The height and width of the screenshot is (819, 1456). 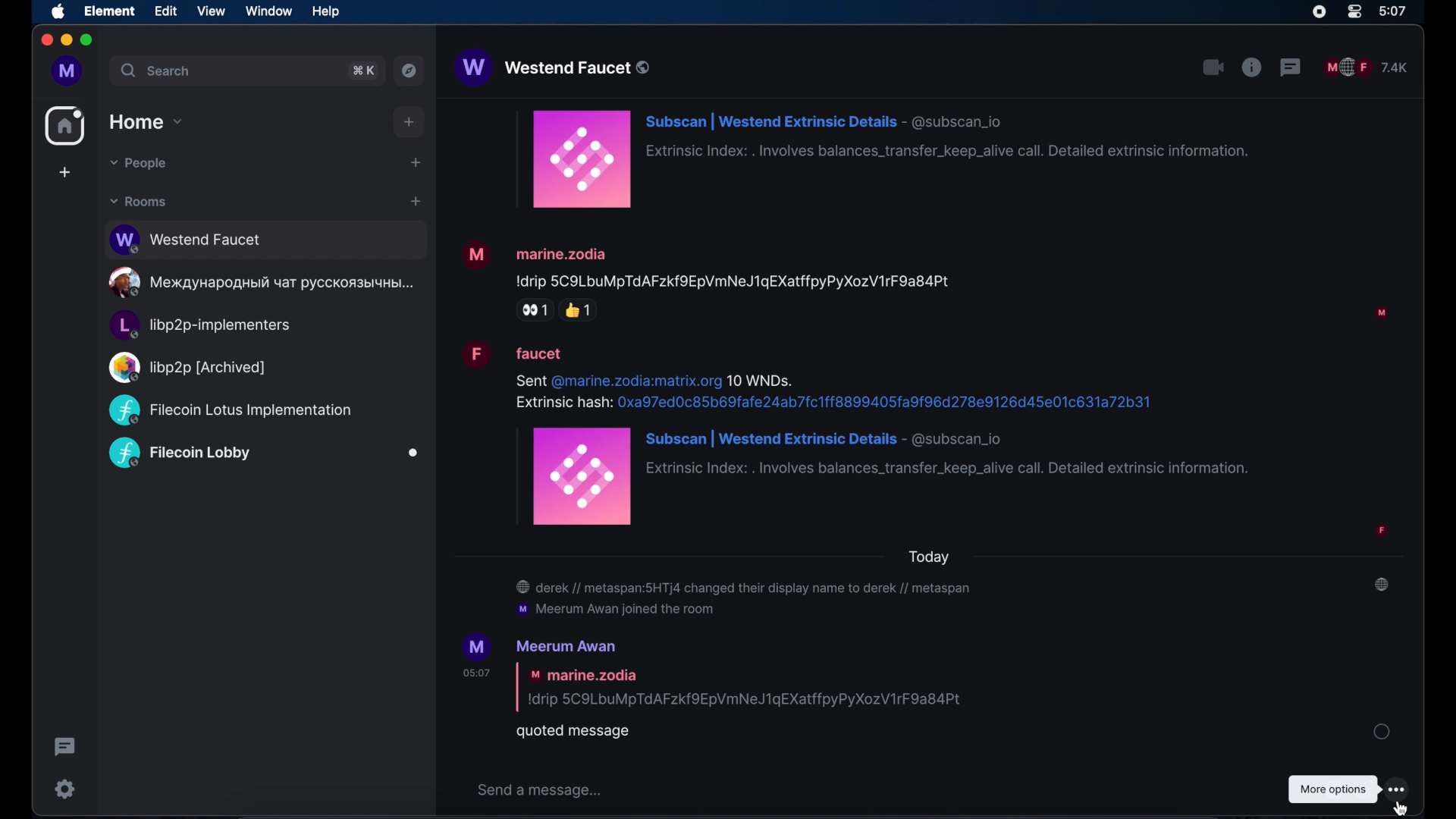 I want to click on add, so click(x=409, y=121).